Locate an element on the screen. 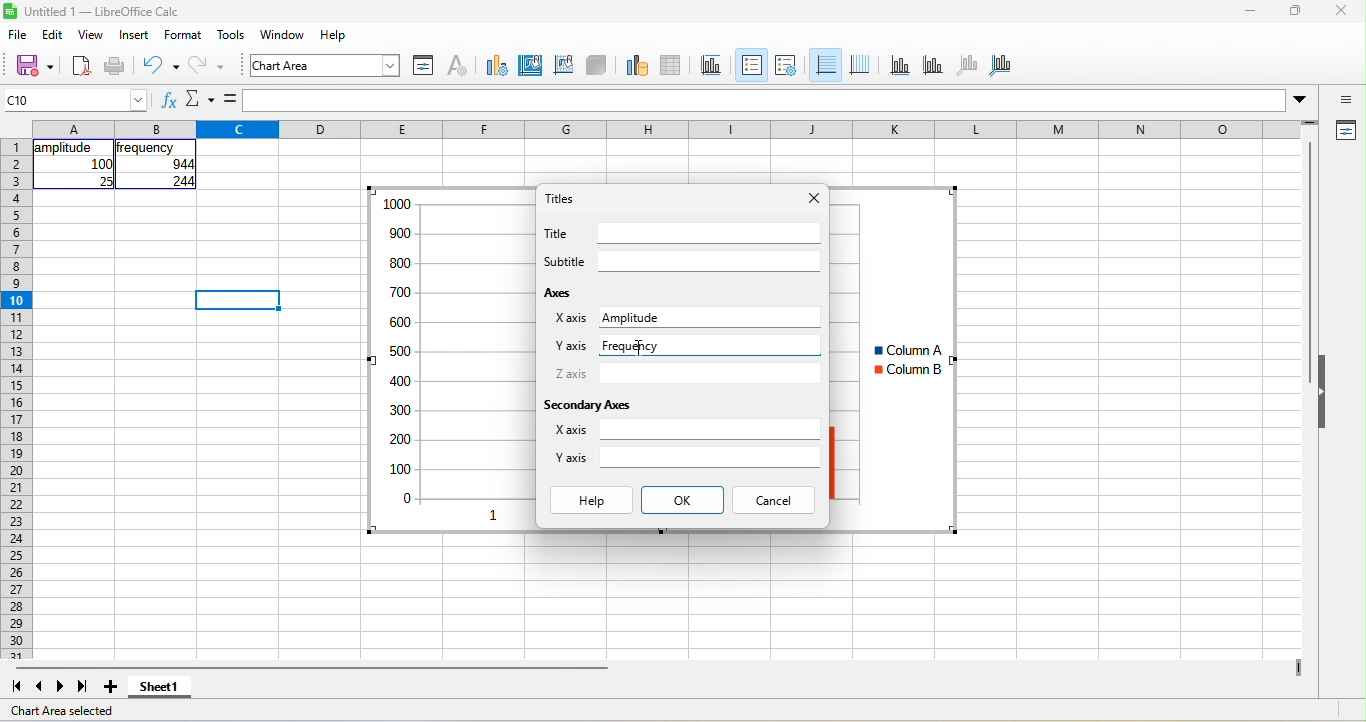 This screenshot has height=722, width=1366. Title is located at coordinates (555, 233).